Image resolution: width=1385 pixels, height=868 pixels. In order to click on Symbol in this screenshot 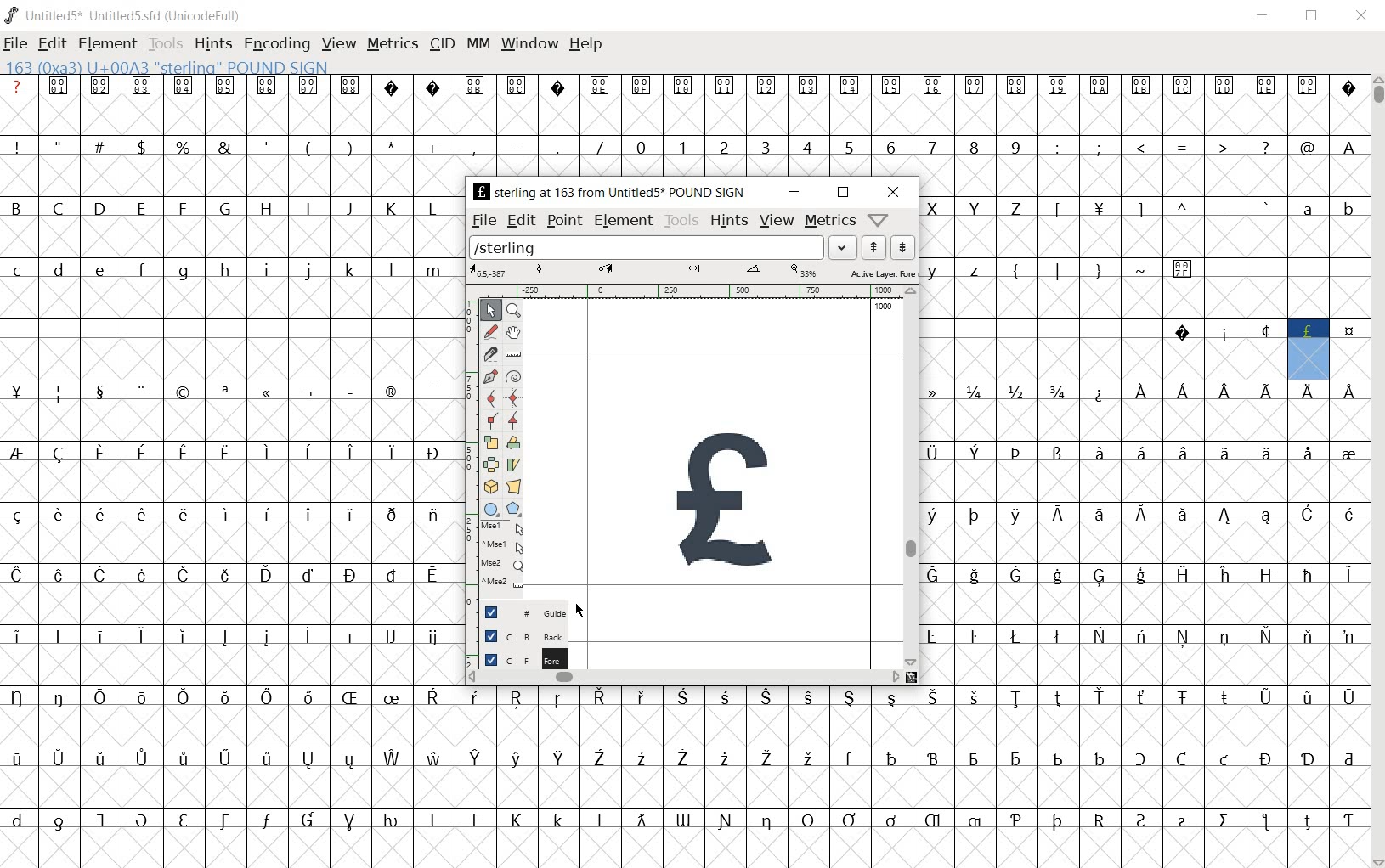, I will do `click(1184, 268)`.